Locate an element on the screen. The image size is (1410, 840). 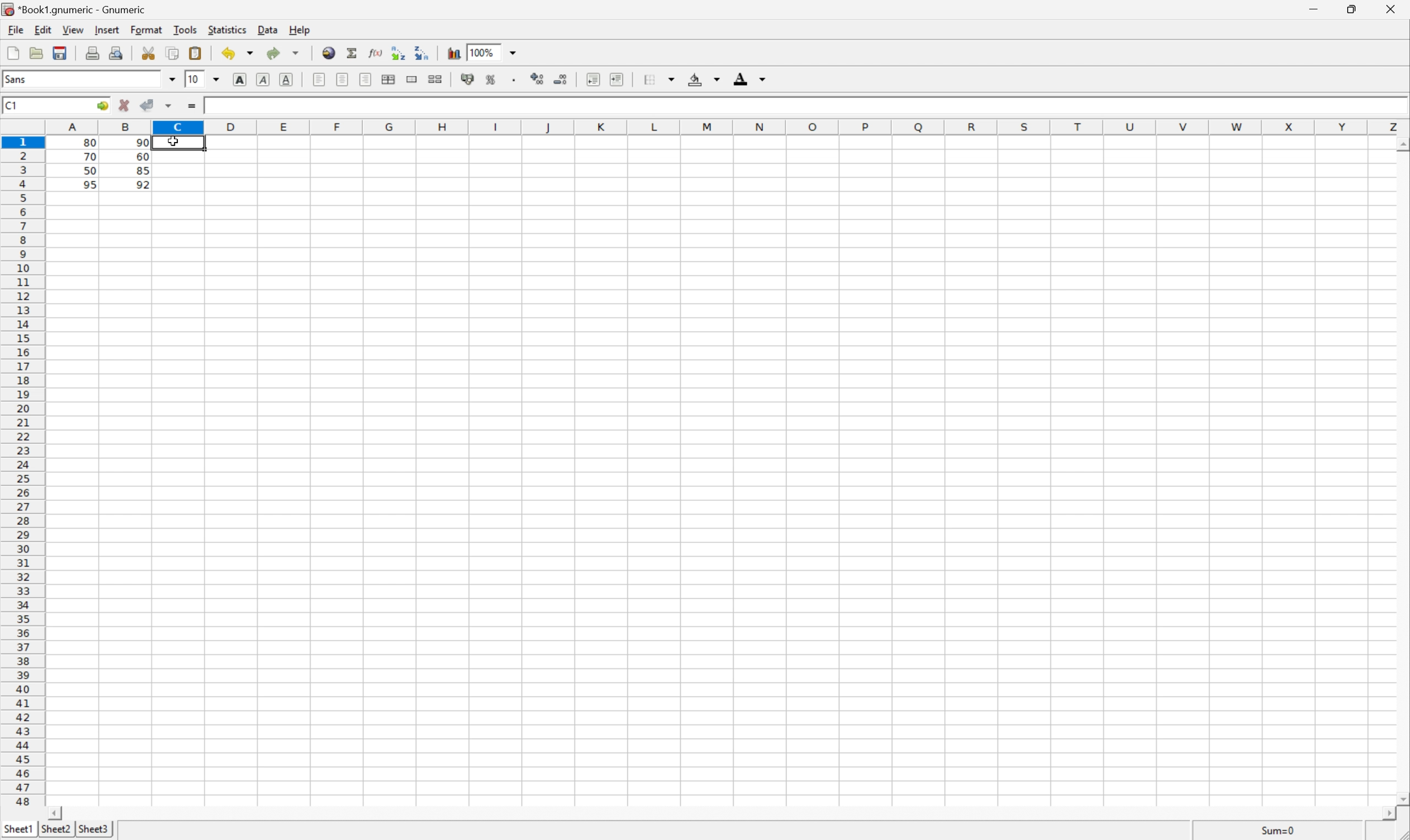
Save the document is located at coordinates (36, 53).